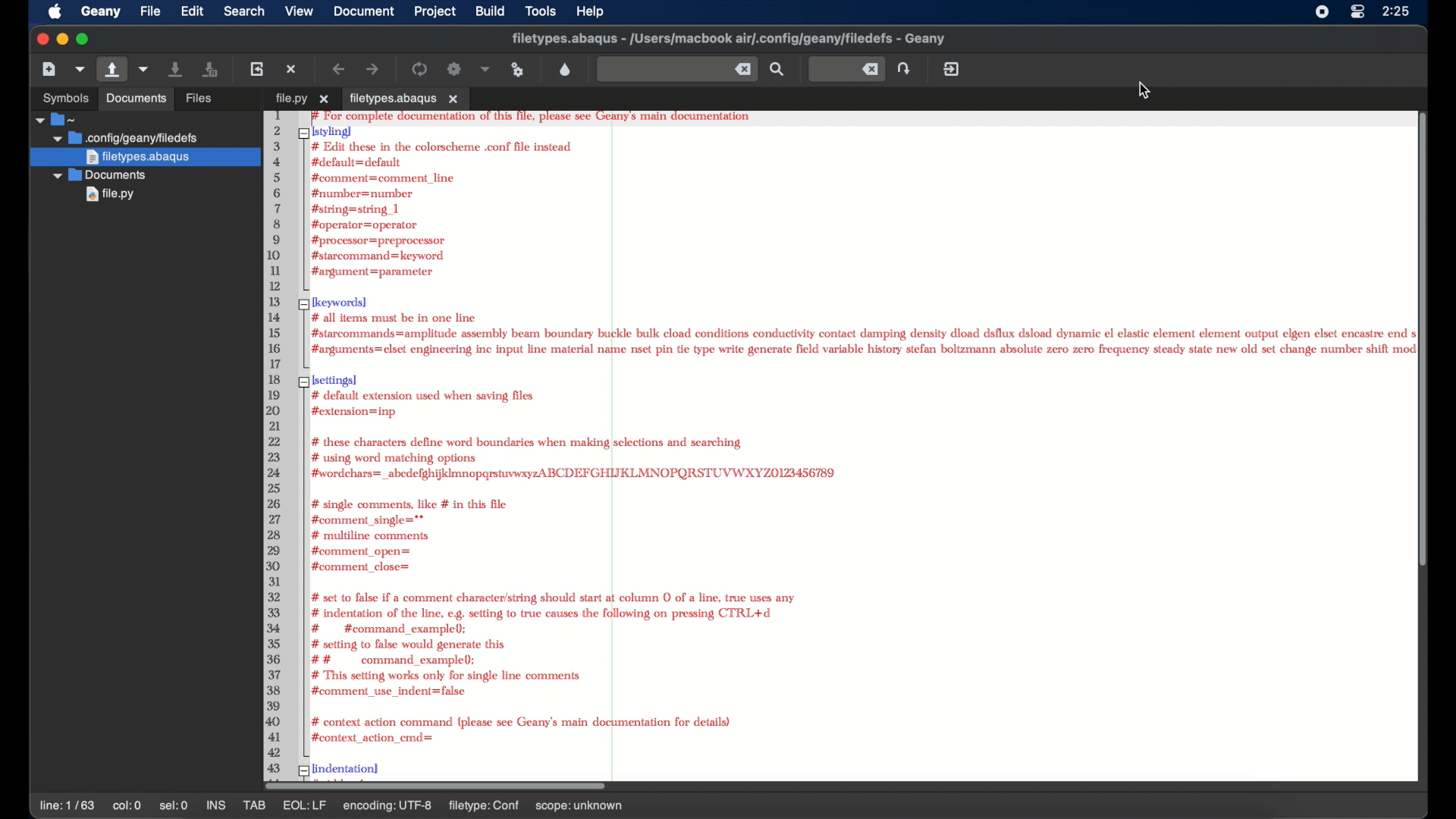  What do you see at coordinates (486, 69) in the screenshot?
I see `choose more build actions` at bounding box center [486, 69].